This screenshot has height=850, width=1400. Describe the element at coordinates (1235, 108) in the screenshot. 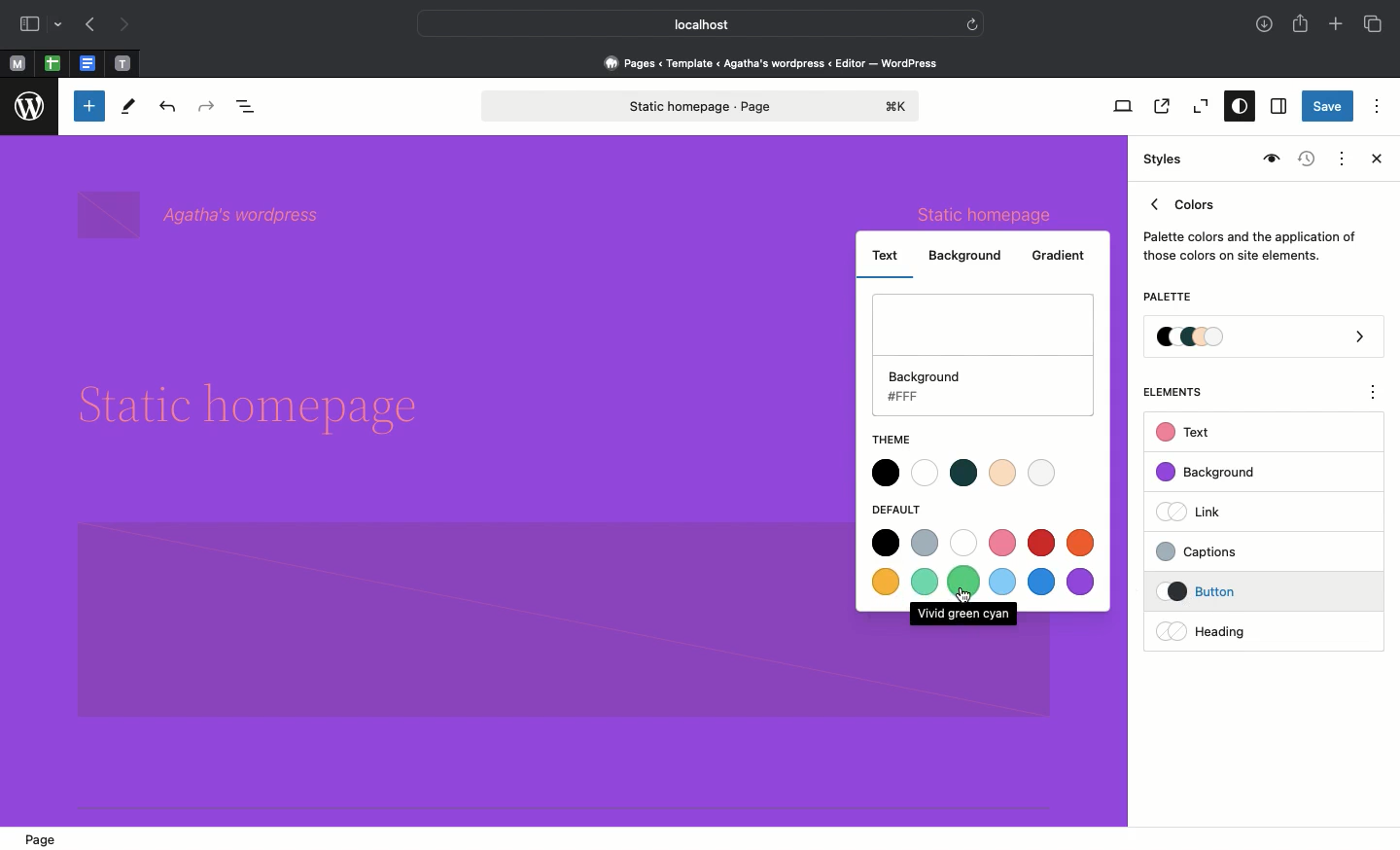

I see `Styles` at that location.